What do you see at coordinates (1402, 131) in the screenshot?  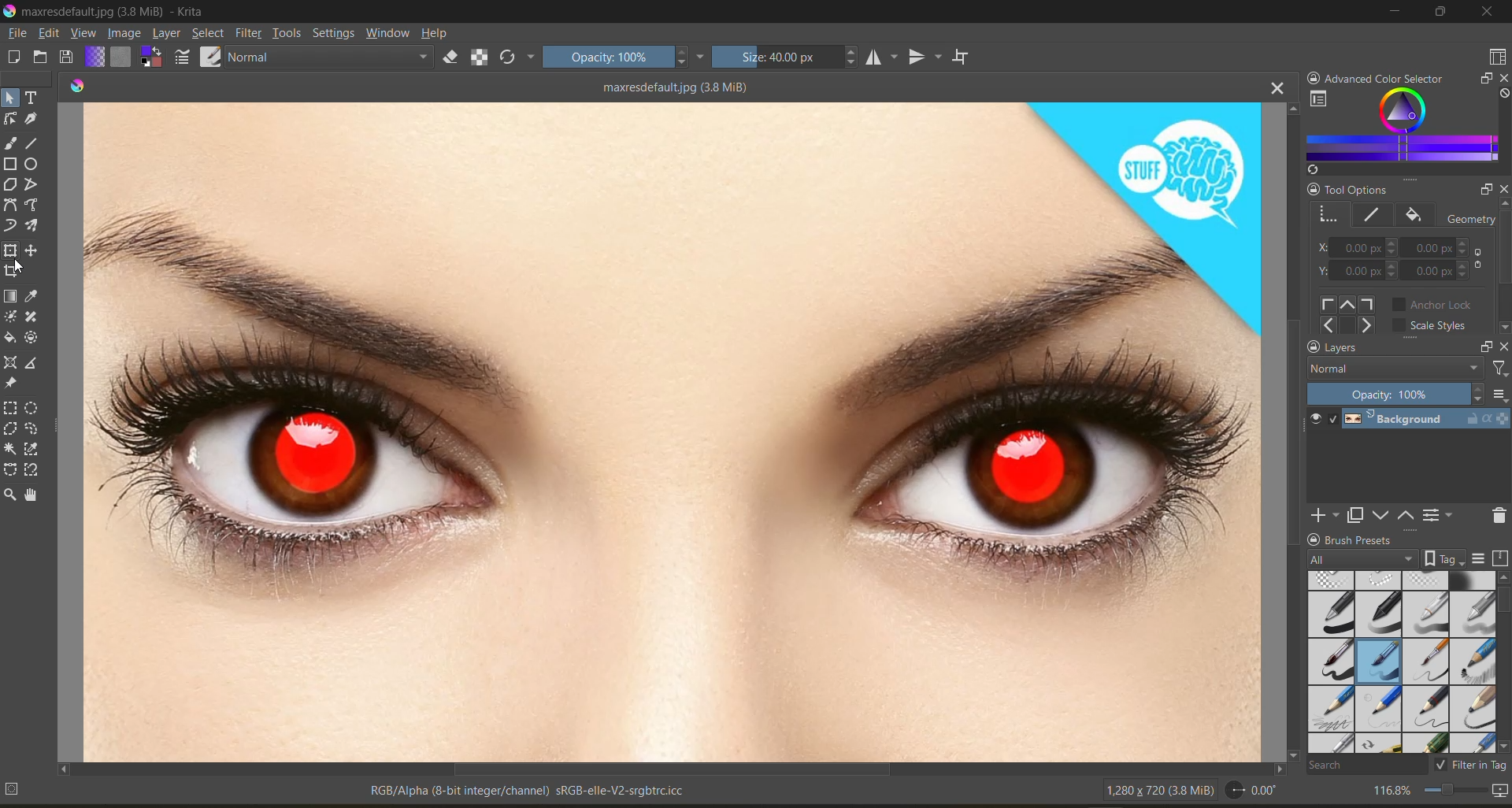 I see `advanced color selector` at bounding box center [1402, 131].